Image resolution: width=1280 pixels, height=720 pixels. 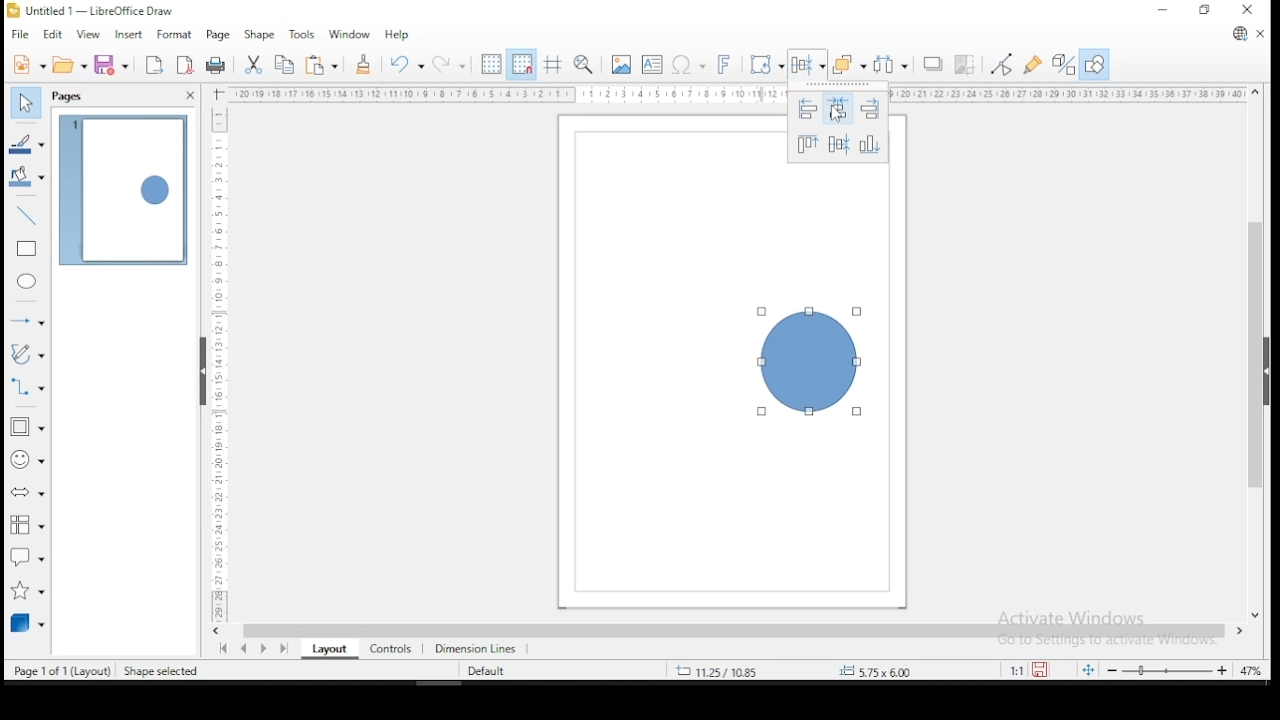 What do you see at coordinates (398, 34) in the screenshot?
I see `help` at bounding box center [398, 34].